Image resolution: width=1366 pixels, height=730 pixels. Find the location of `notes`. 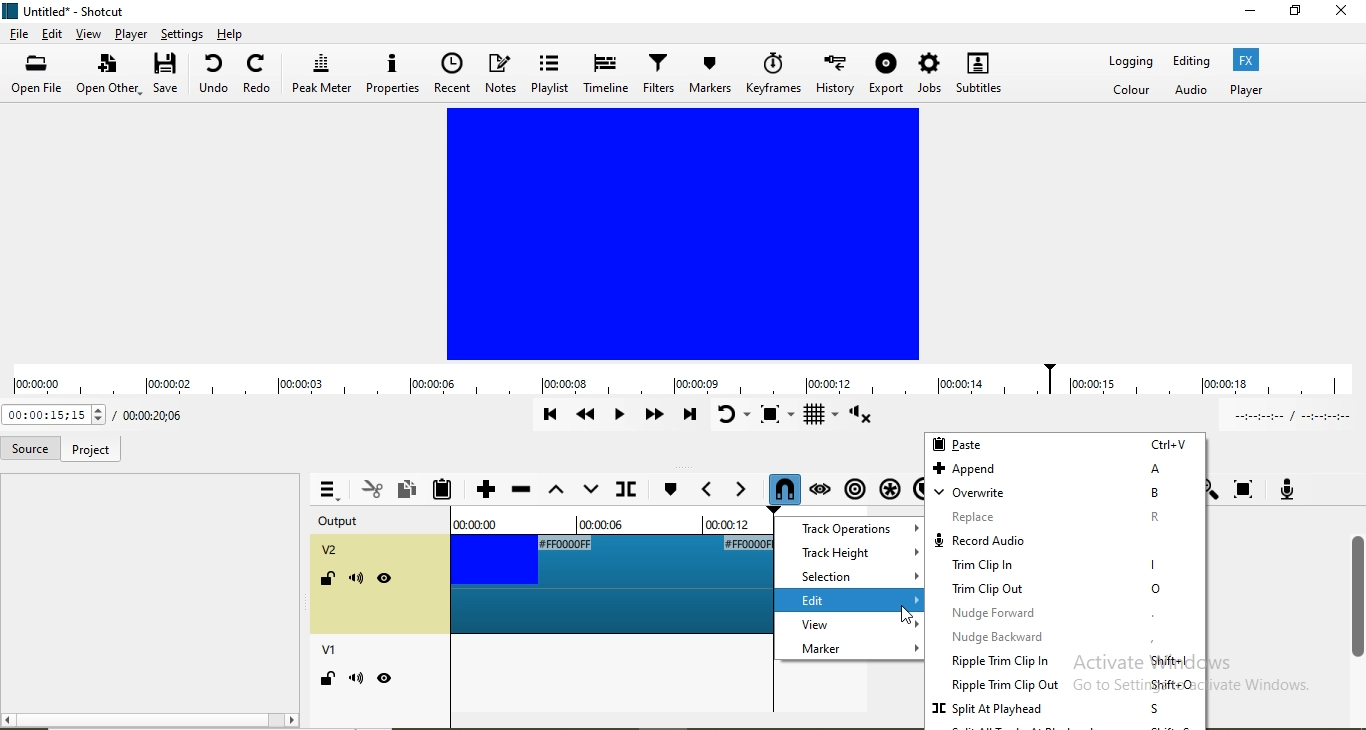

notes is located at coordinates (503, 75).